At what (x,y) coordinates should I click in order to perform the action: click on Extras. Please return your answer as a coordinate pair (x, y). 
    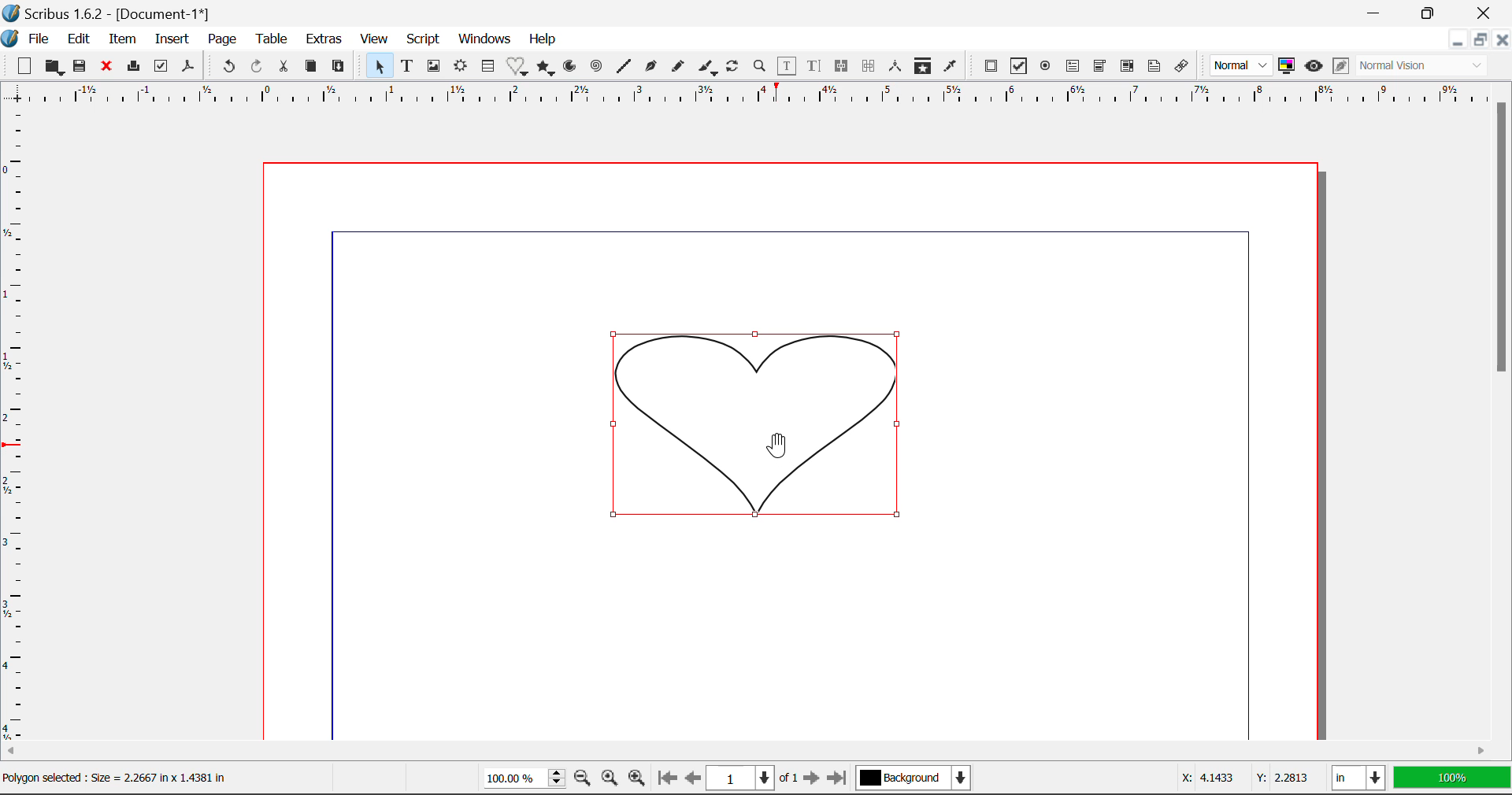
    Looking at the image, I should click on (327, 40).